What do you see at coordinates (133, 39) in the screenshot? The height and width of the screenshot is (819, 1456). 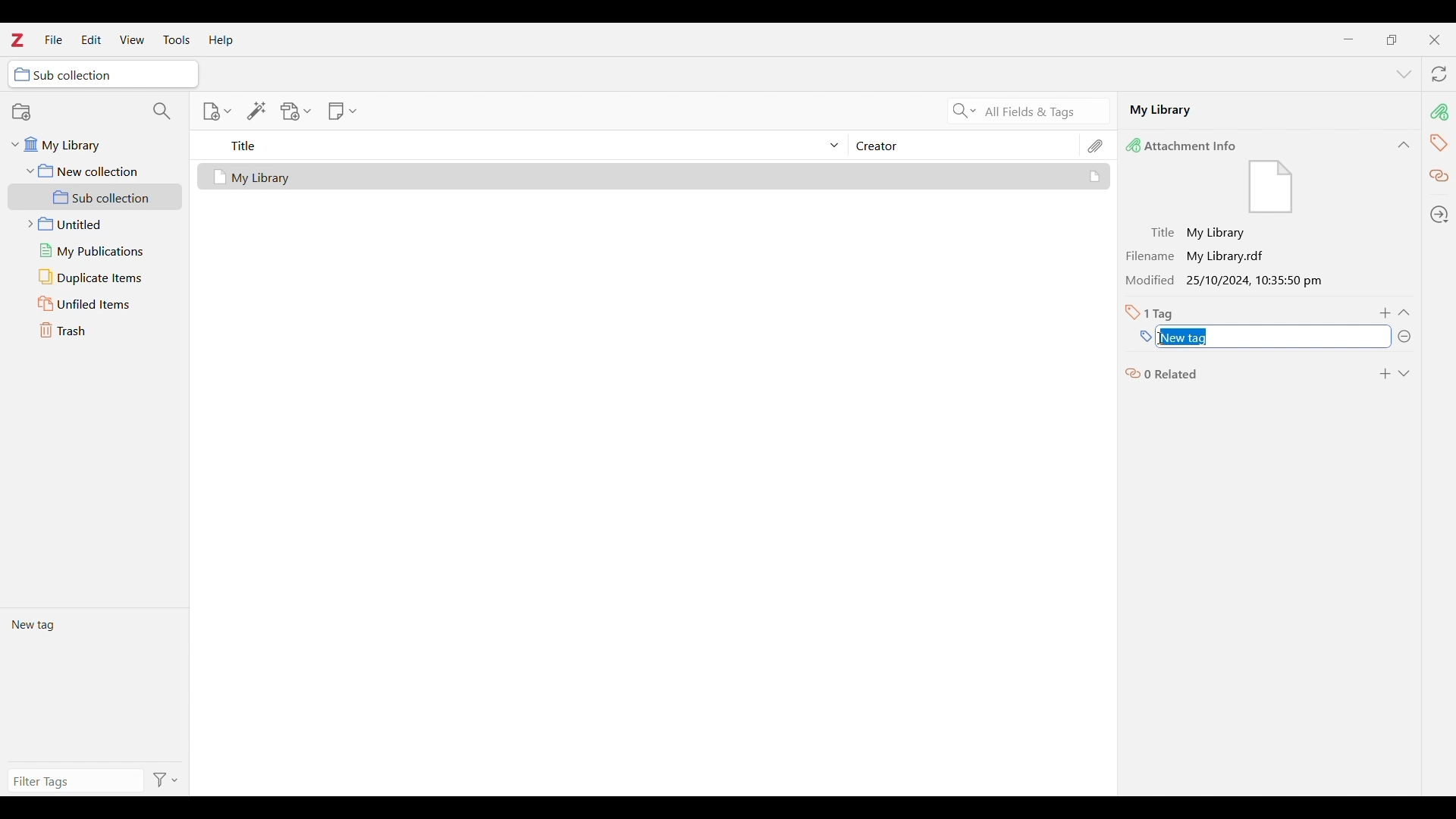 I see `View menu` at bounding box center [133, 39].